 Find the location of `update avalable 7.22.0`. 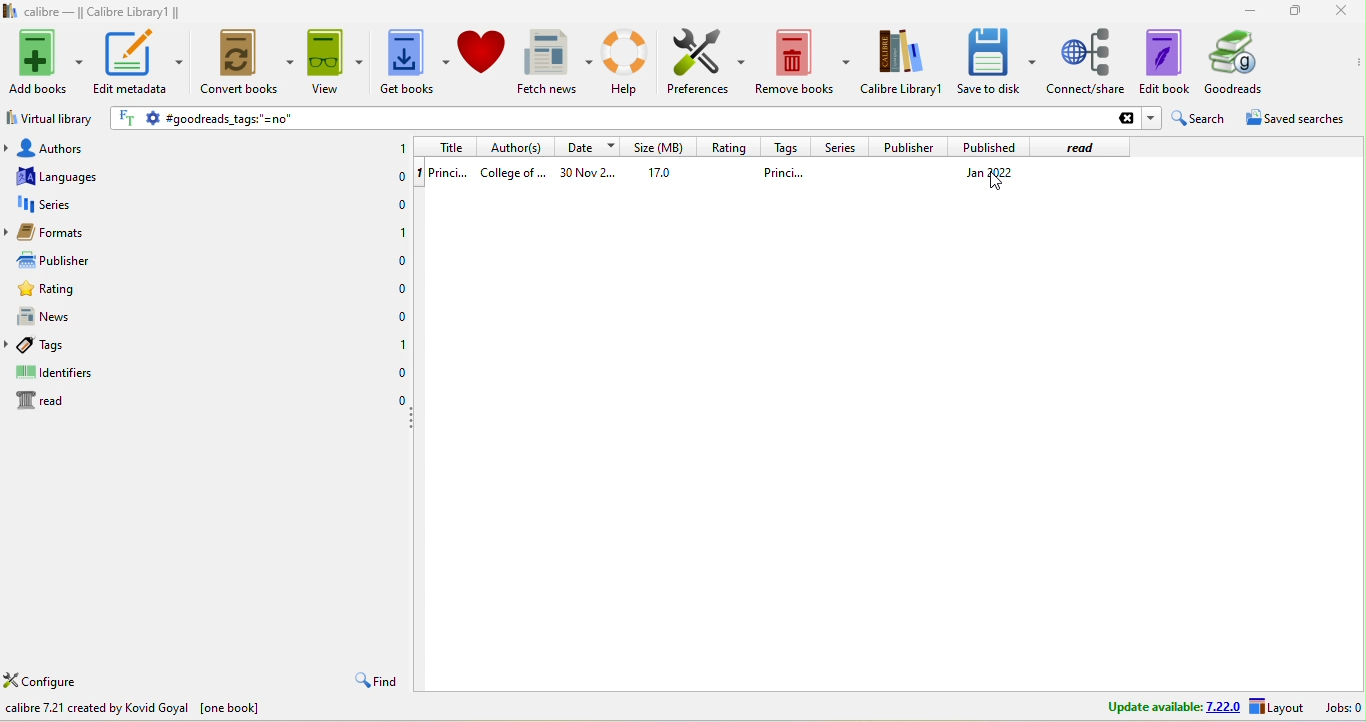

update avalable 7.22.0 is located at coordinates (1168, 707).